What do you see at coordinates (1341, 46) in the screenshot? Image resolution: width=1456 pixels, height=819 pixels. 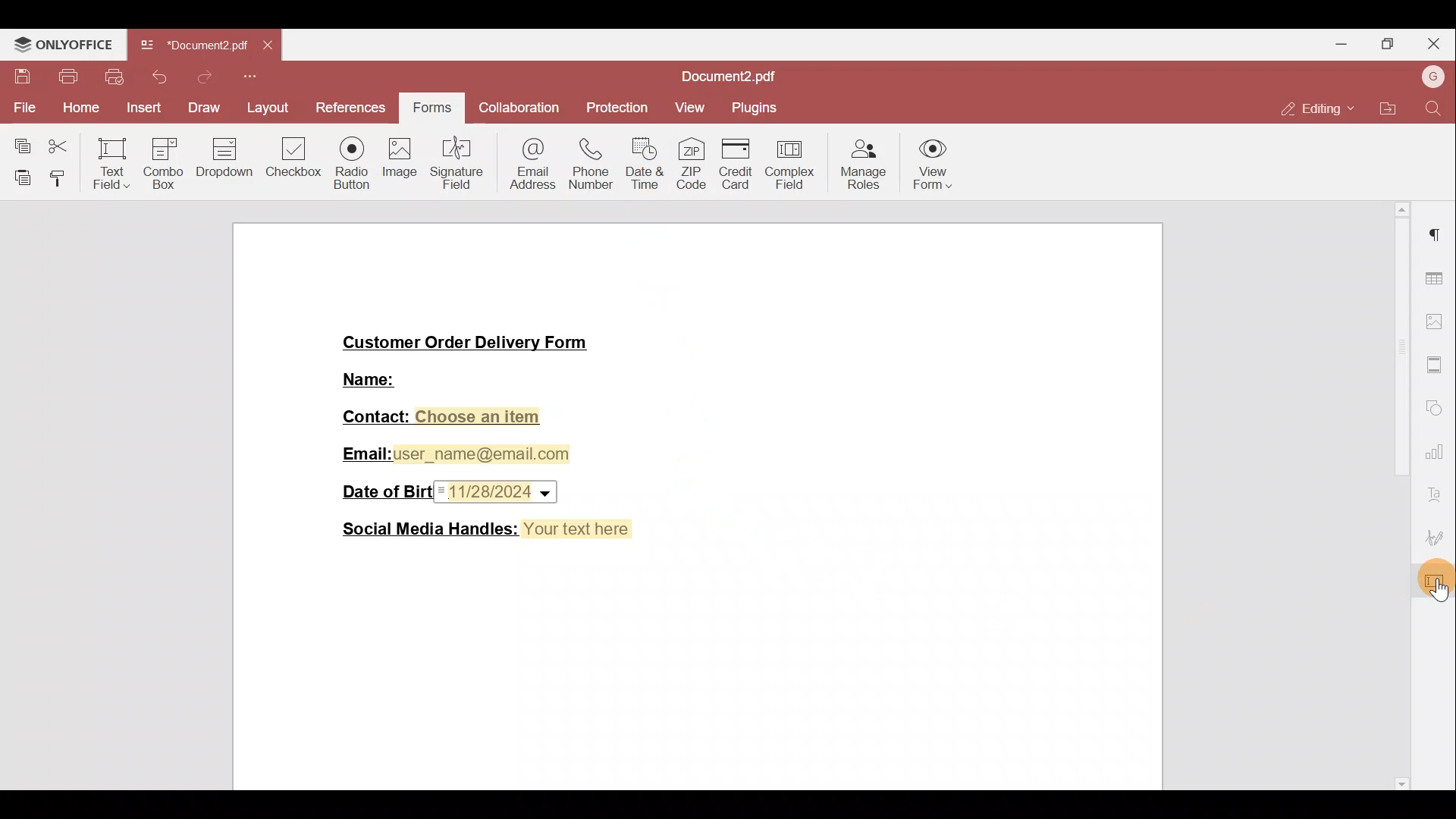 I see `Minimise` at bounding box center [1341, 46].